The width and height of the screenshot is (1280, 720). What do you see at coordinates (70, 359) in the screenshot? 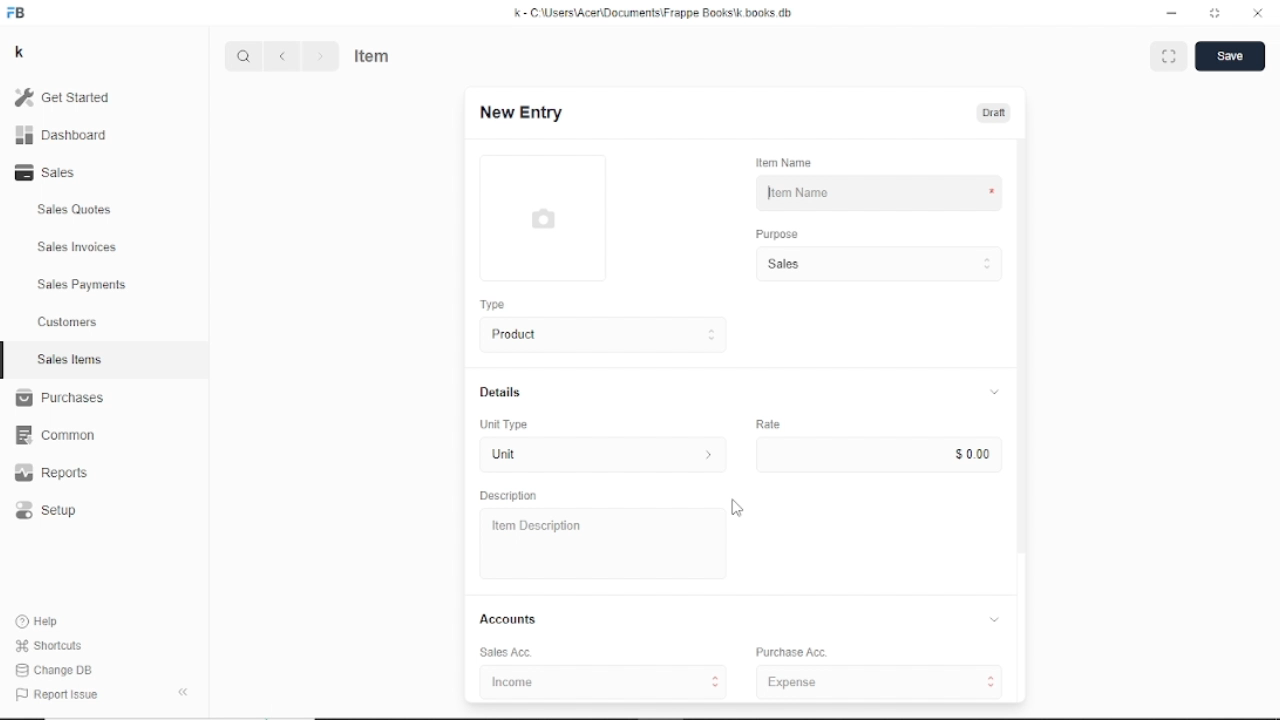
I see `Sales Items` at bounding box center [70, 359].